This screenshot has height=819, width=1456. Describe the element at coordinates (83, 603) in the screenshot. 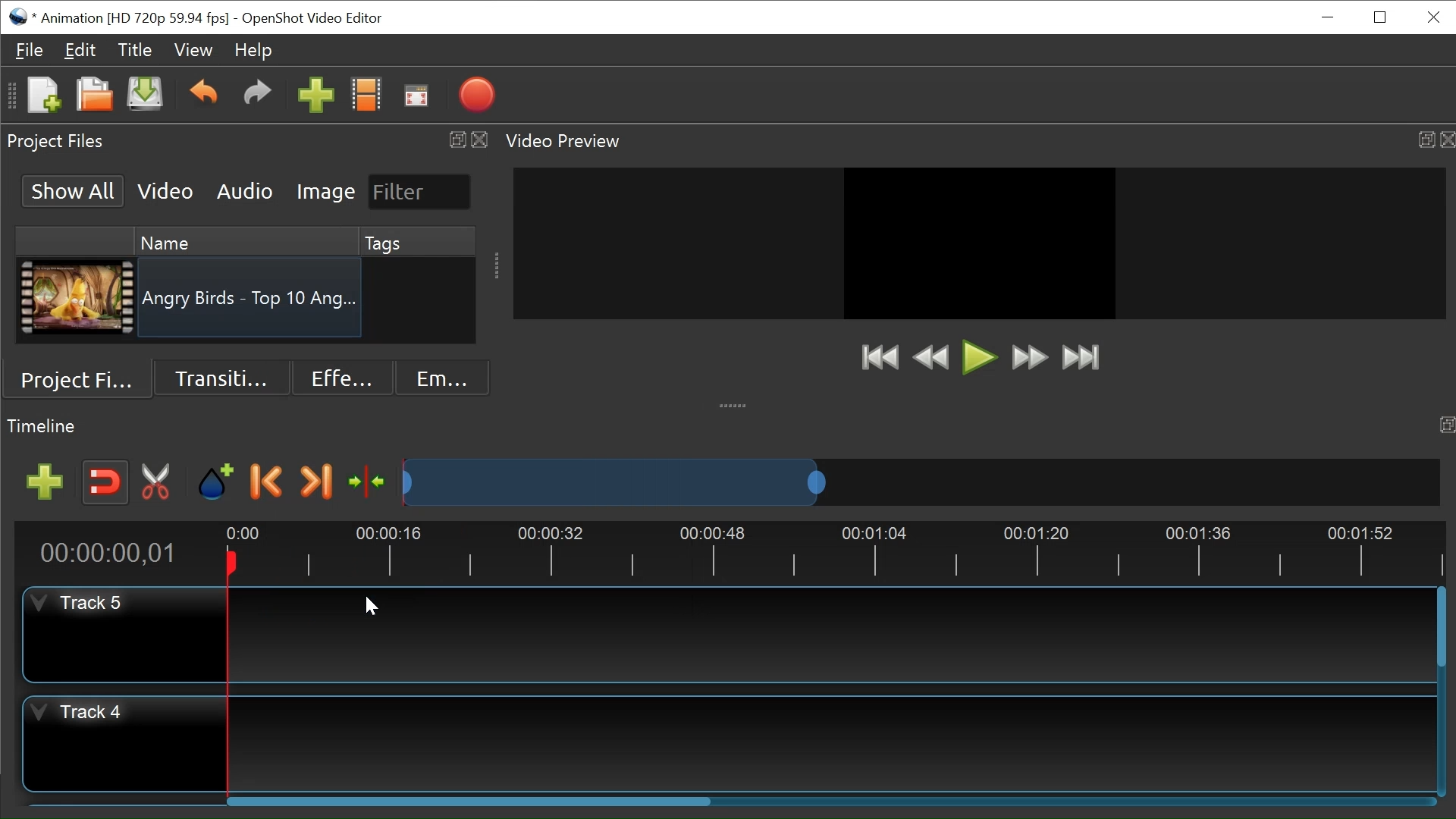

I see `Track Header` at that location.